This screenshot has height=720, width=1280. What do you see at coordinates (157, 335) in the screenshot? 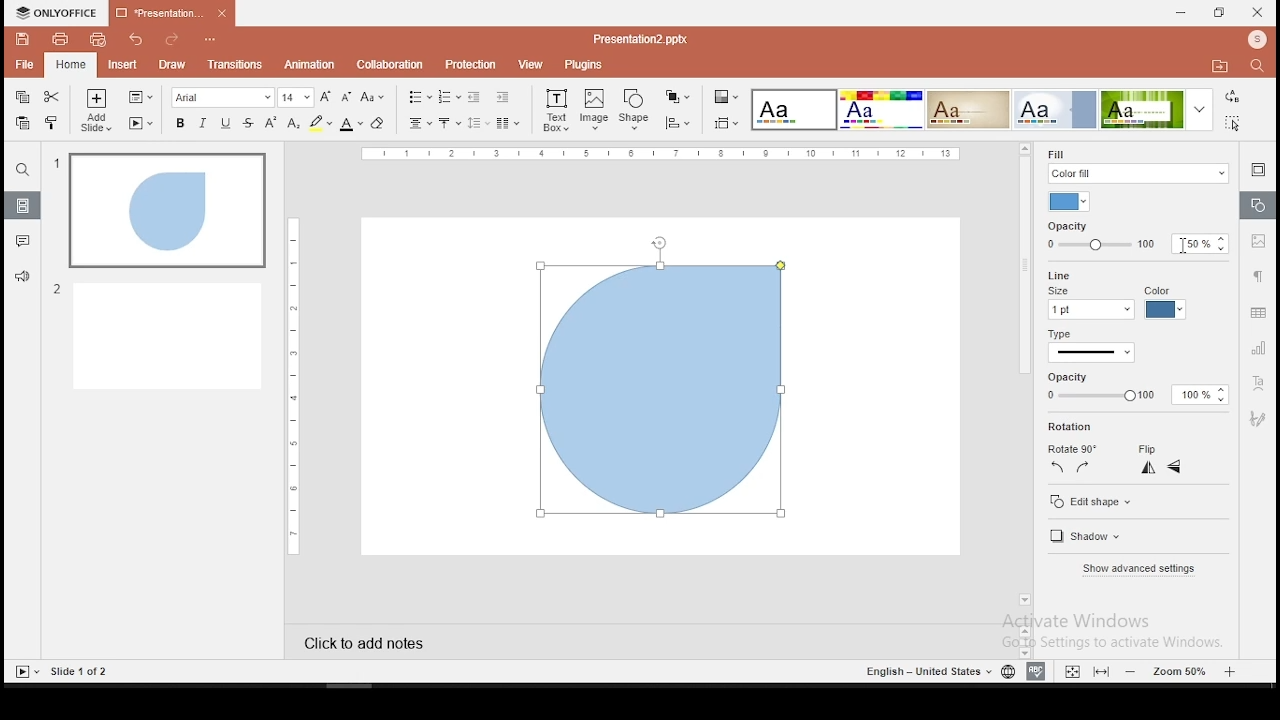
I see `slide 2` at bounding box center [157, 335].